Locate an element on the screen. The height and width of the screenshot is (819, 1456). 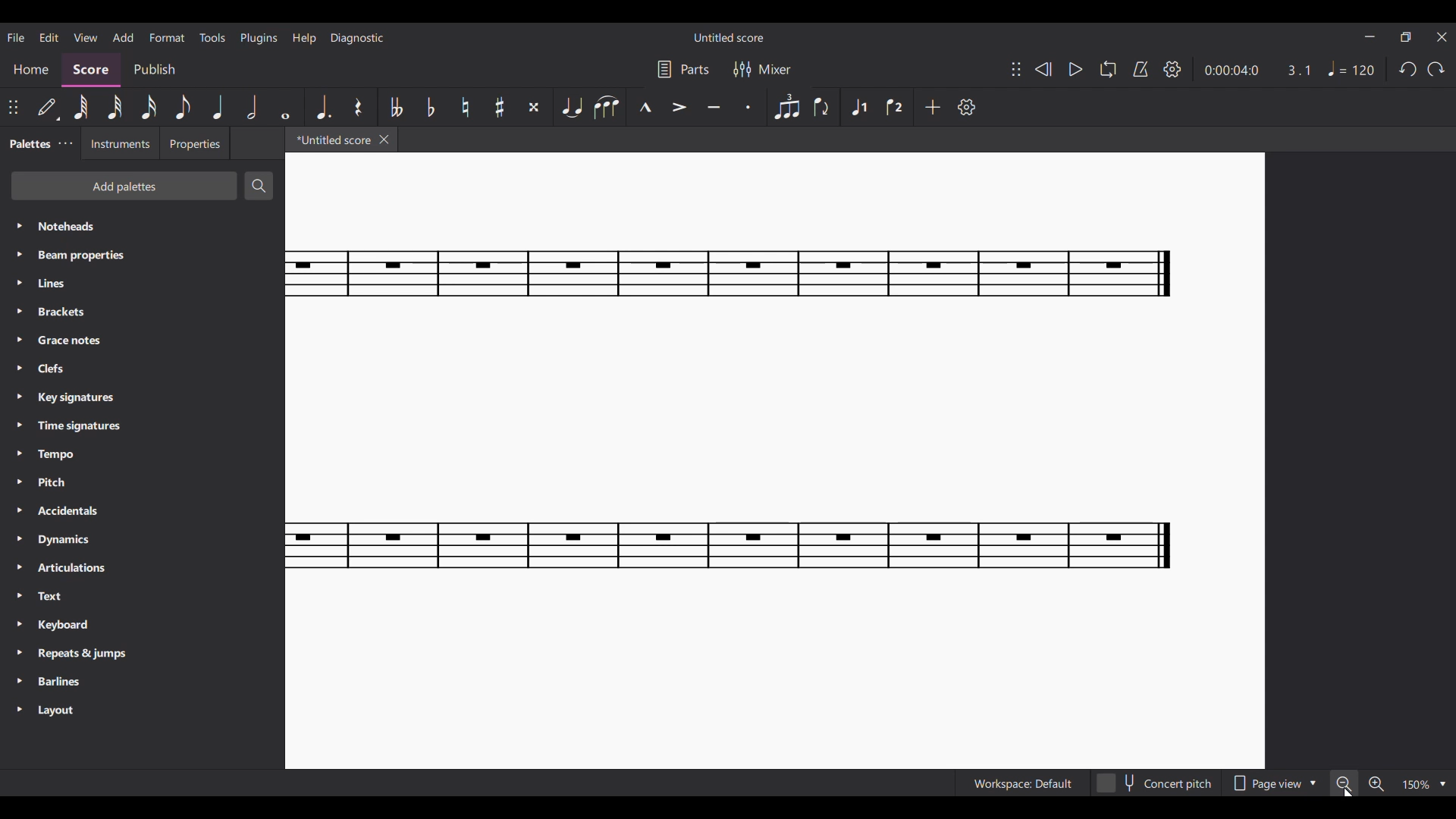
Edit menu is located at coordinates (49, 37).